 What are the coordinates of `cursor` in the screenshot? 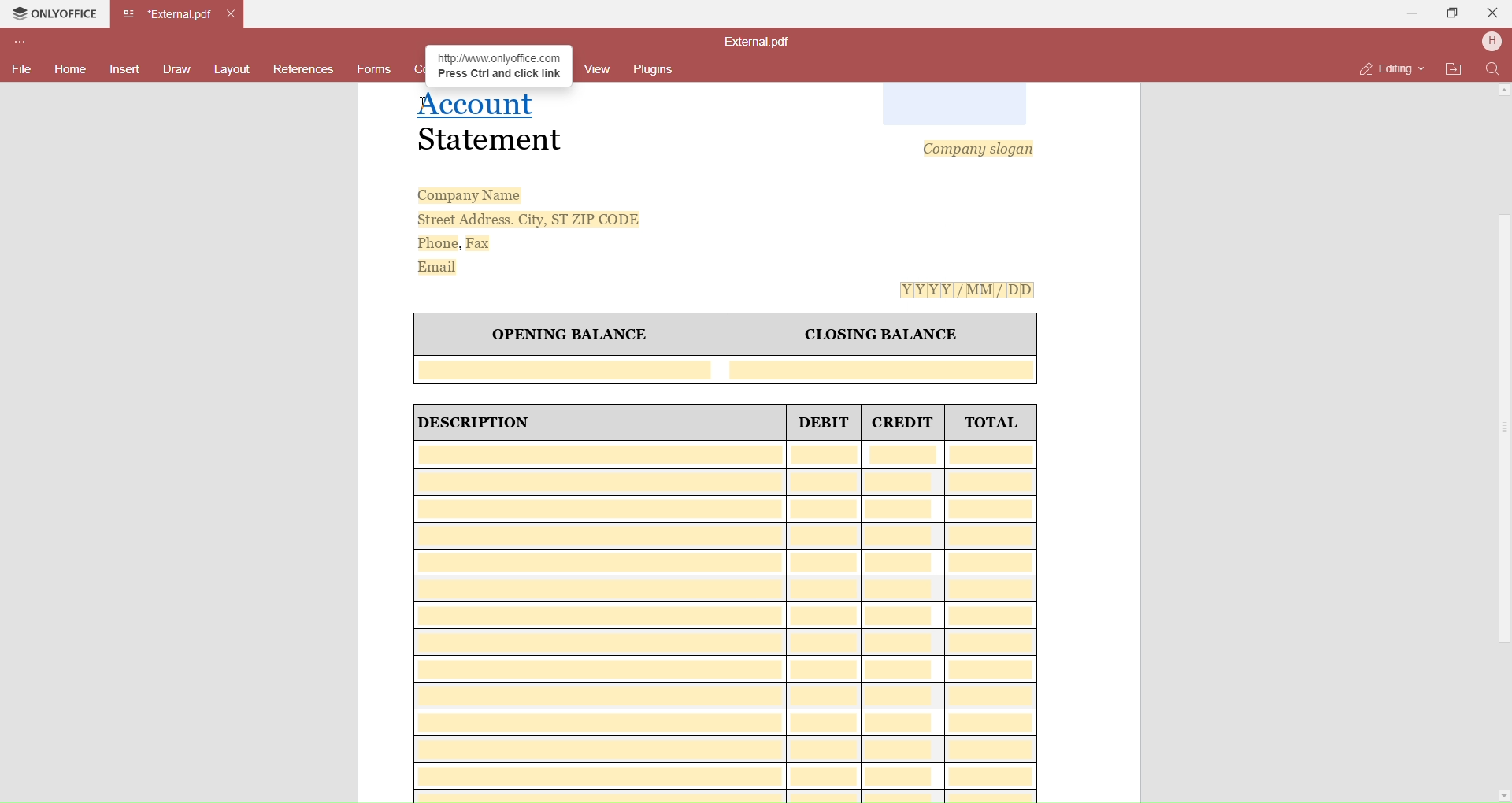 It's located at (425, 105).